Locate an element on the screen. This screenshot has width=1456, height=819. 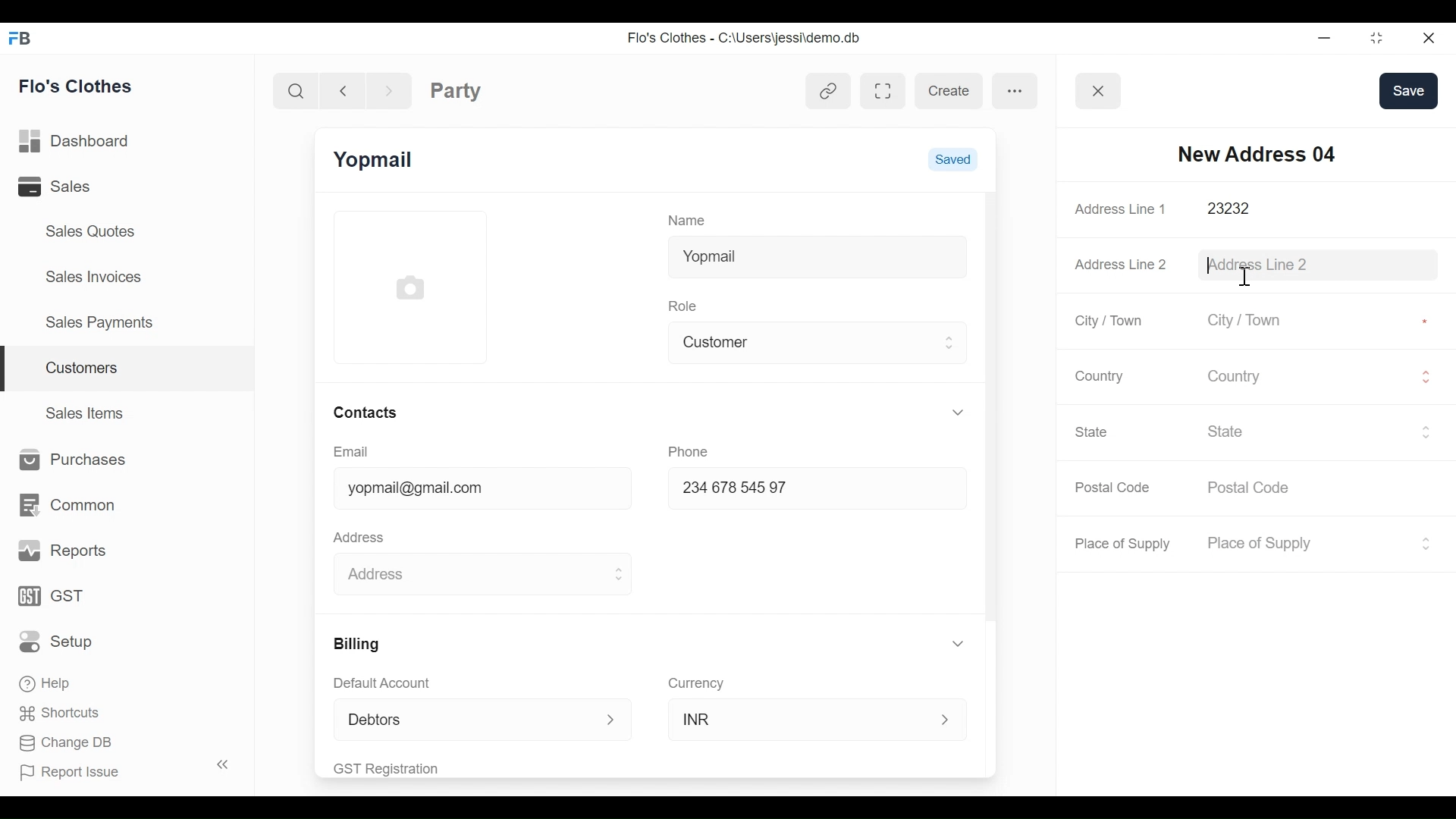
 is located at coordinates (1099, 91).